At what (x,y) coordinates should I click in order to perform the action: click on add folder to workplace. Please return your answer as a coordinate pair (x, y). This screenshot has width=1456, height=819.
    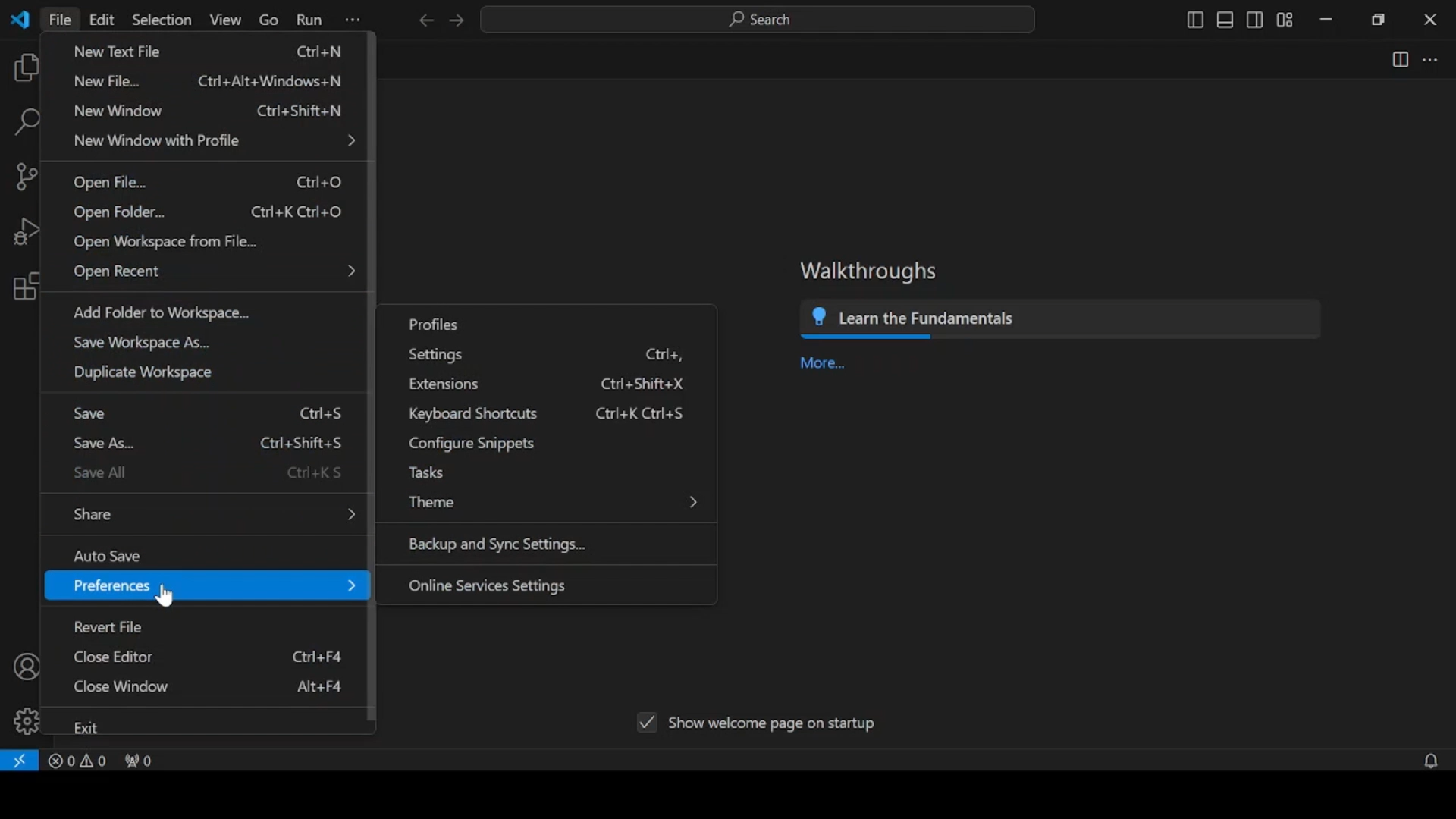
    Looking at the image, I should click on (164, 312).